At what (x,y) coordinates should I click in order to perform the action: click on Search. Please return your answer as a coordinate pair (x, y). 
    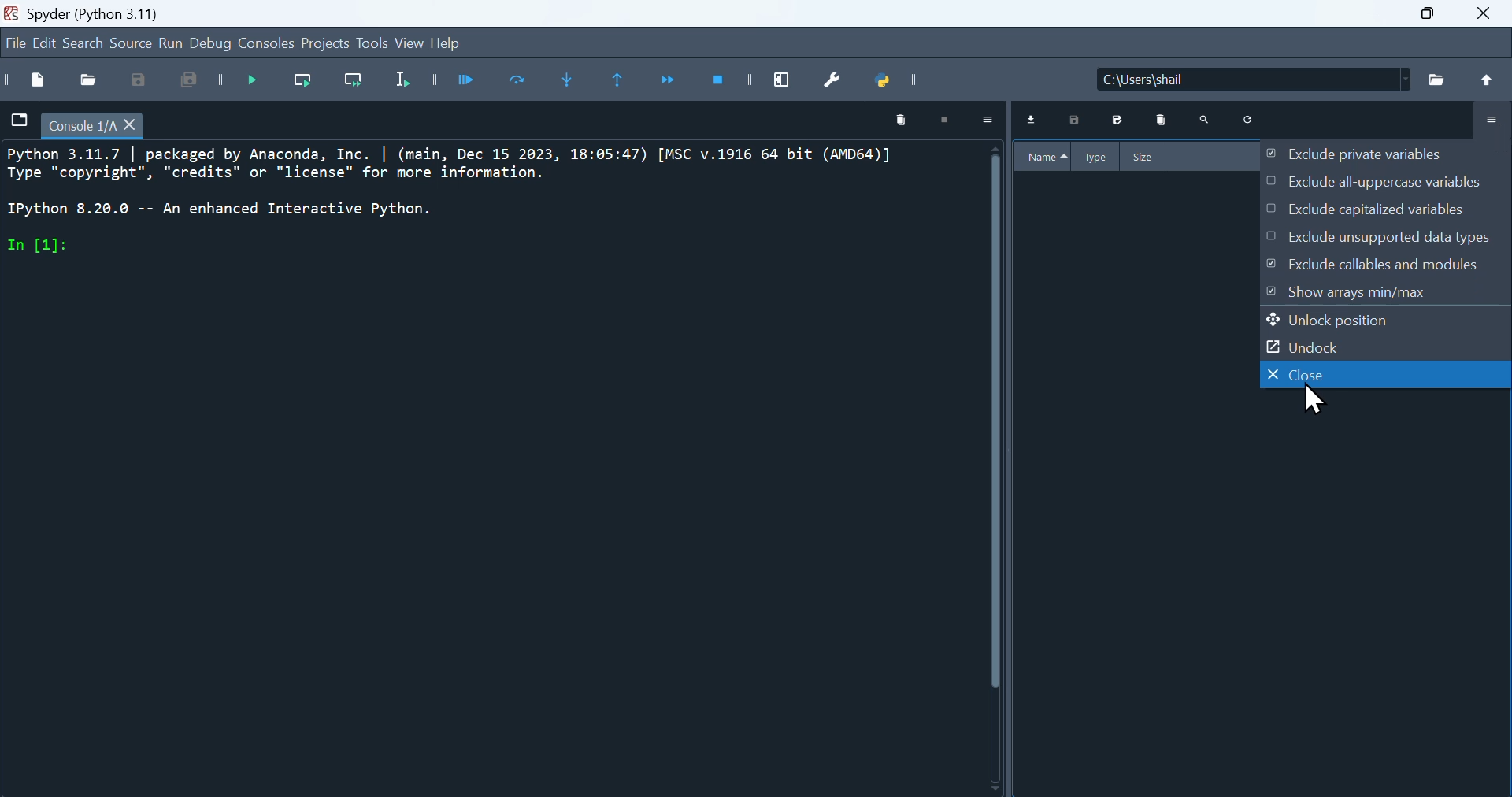
    Looking at the image, I should click on (87, 43).